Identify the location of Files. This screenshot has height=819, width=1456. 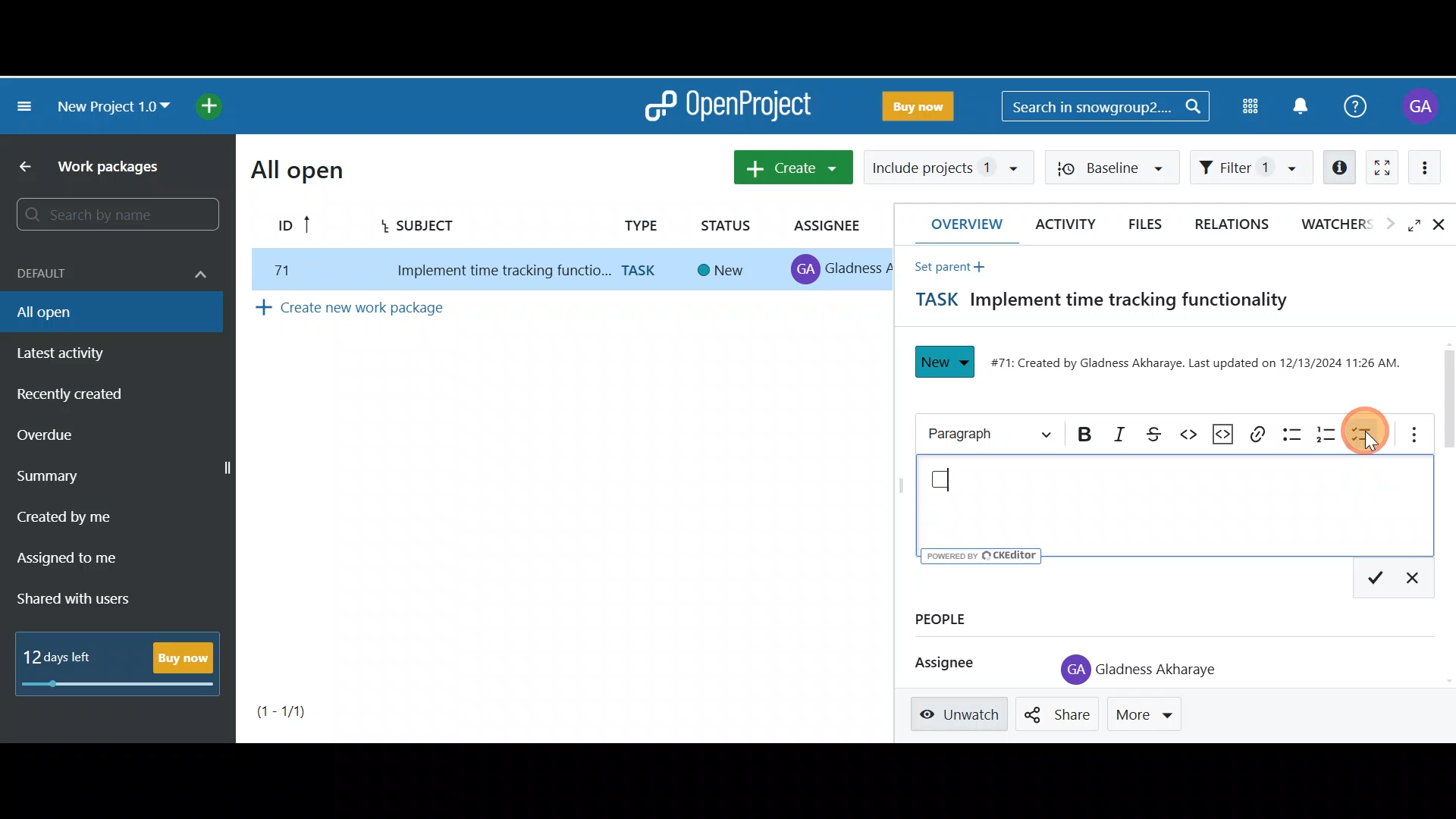
(1150, 224).